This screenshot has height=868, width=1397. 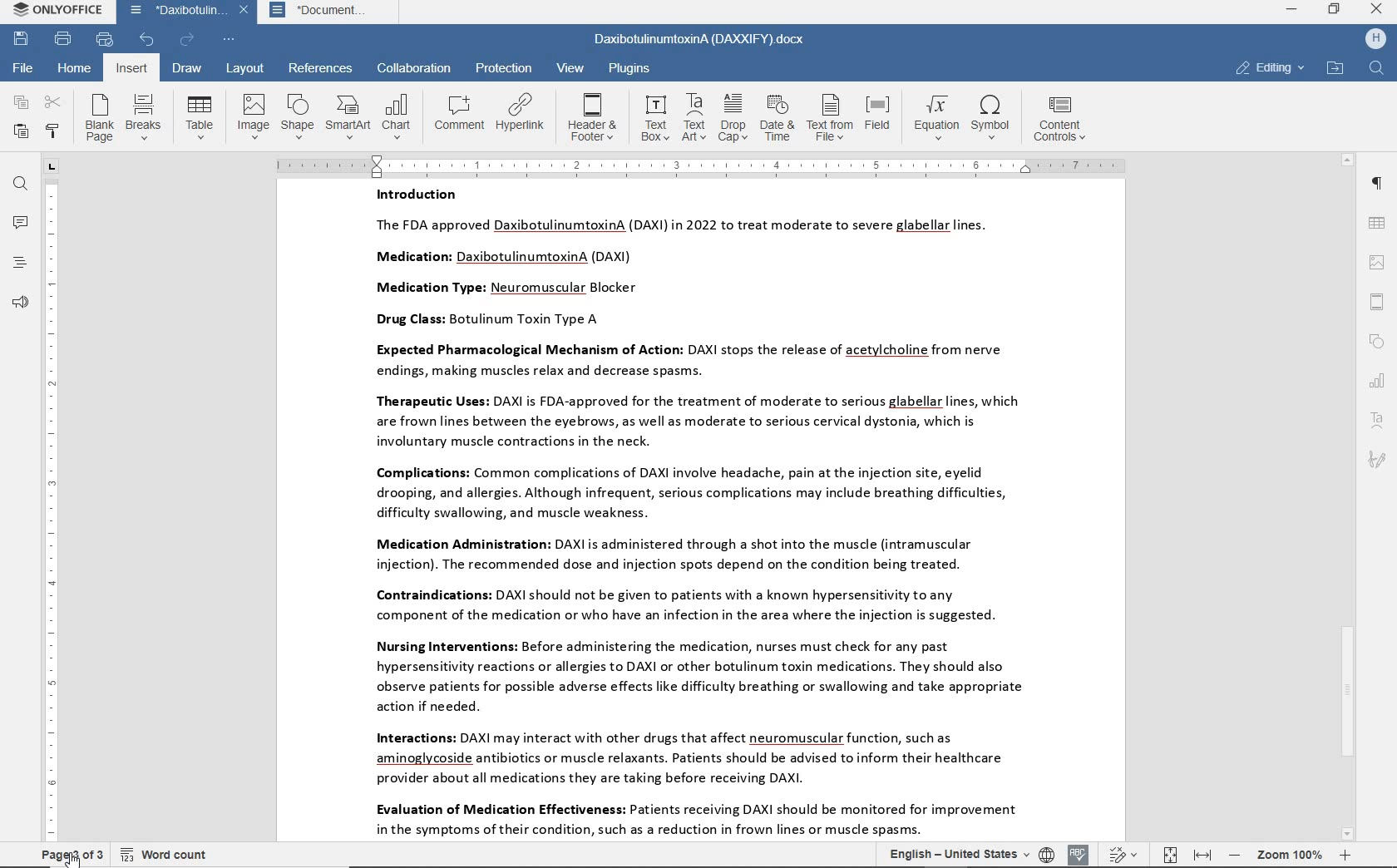 What do you see at coordinates (165, 854) in the screenshot?
I see `word count` at bounding box center [165, 854].